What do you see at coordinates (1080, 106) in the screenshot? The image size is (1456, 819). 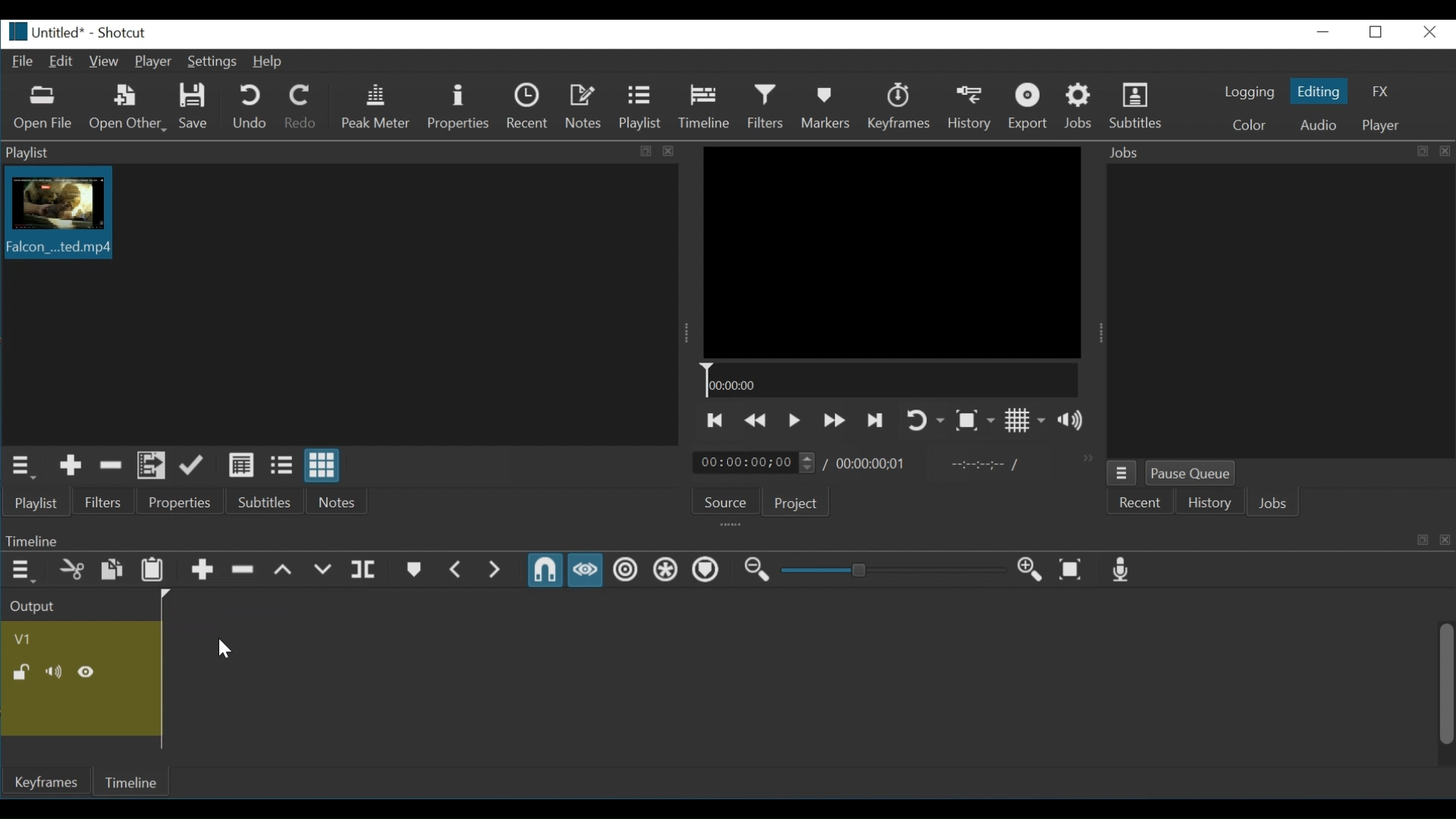 I see `Jobs` at bounding box center [1080, 106].